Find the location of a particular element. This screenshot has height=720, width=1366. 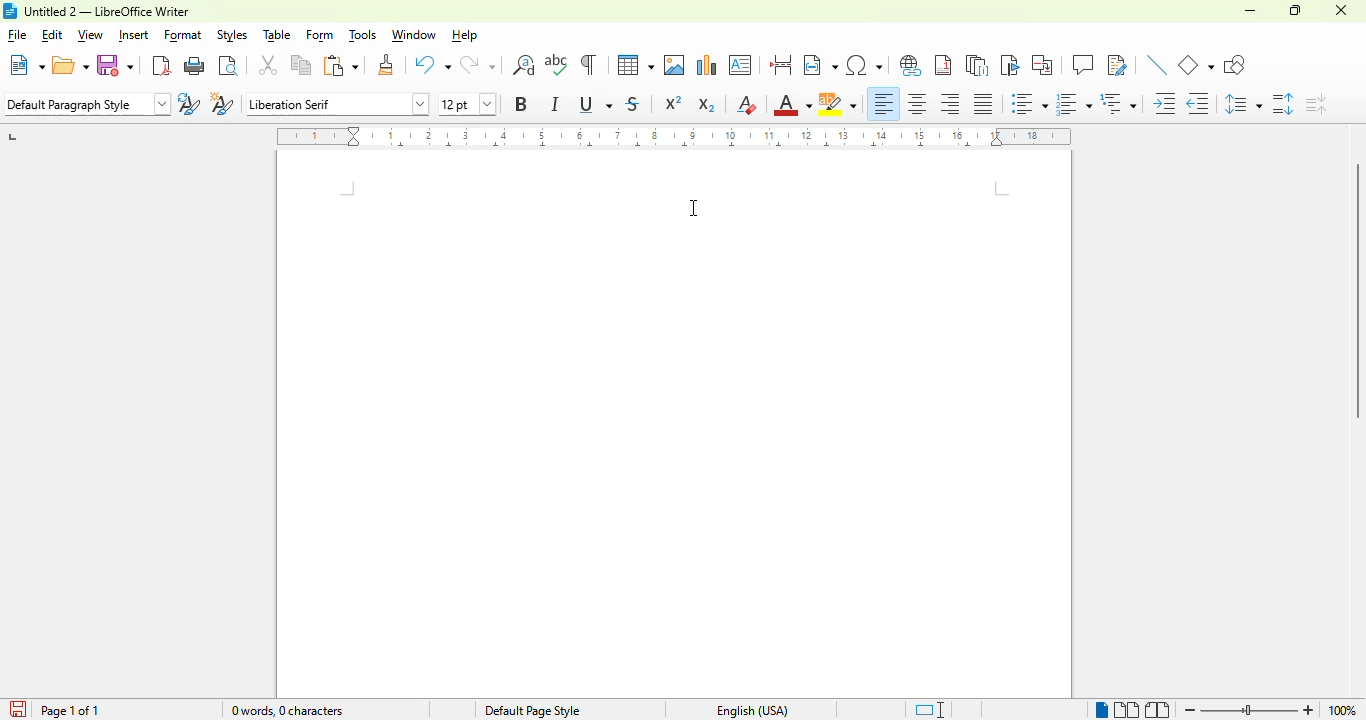

file is located at coordinates (18, 34).